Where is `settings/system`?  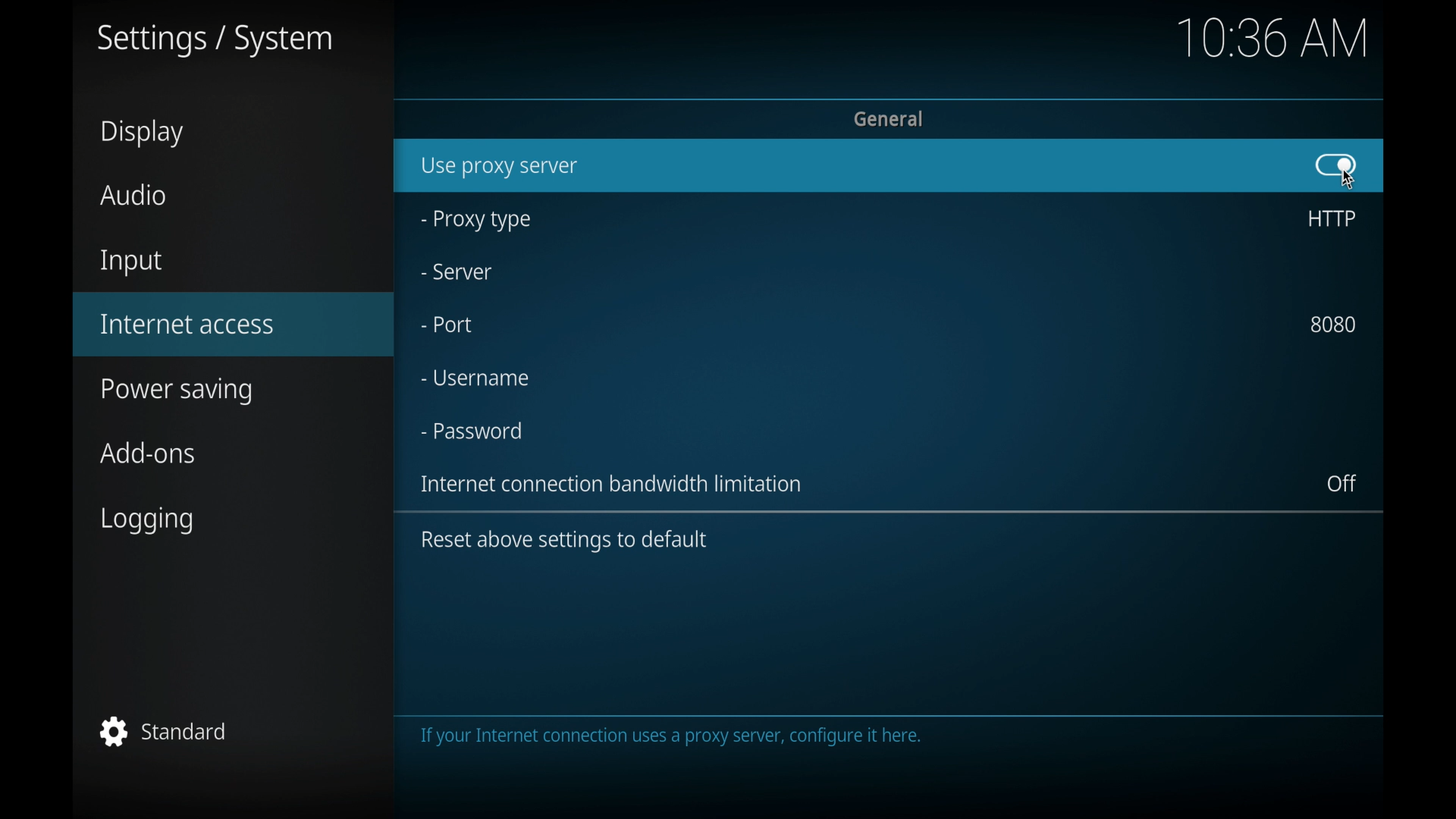 settings/system is located at coordinates (213, 41).